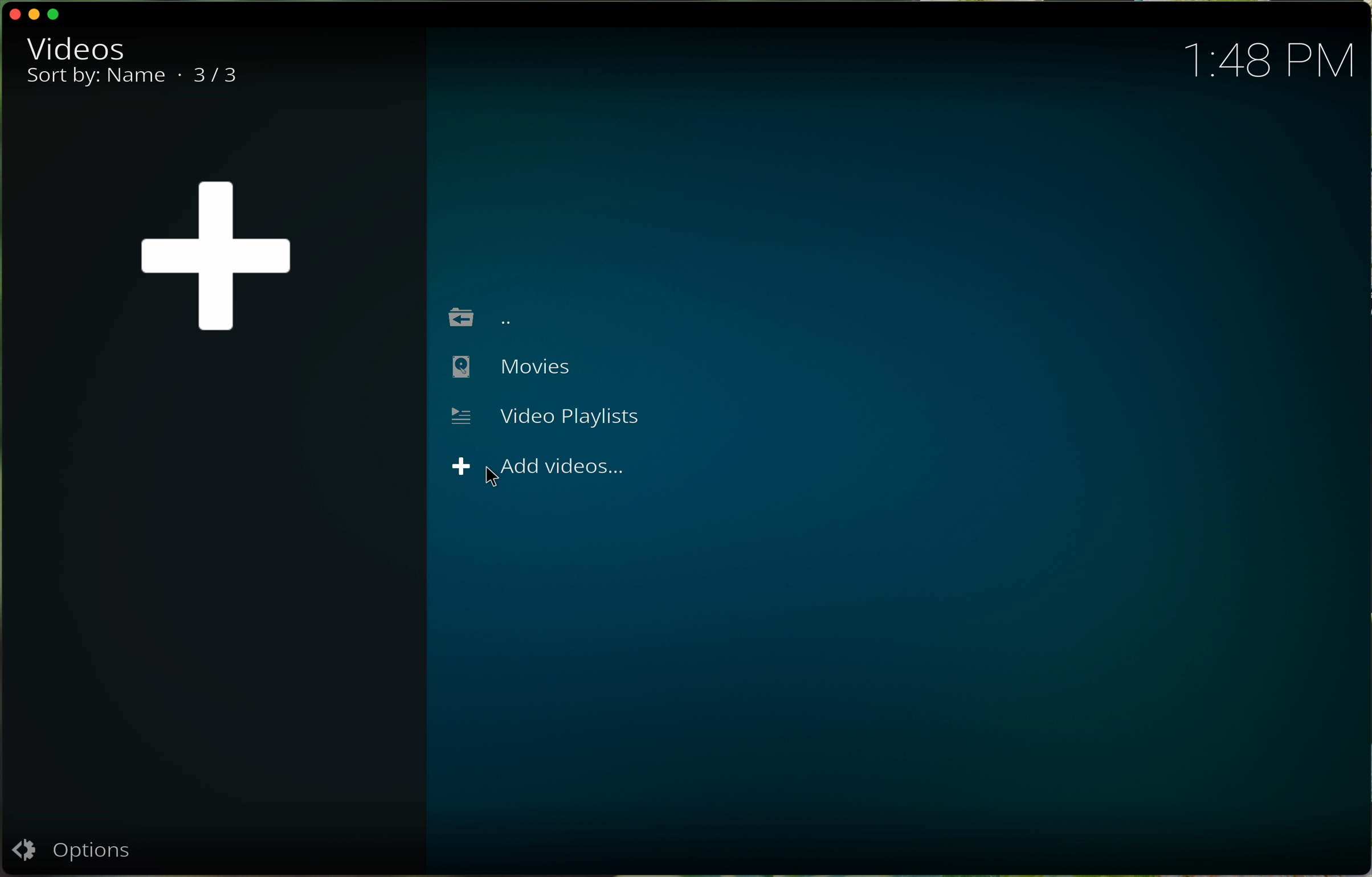 The image size is (1372, 877). What do you see at coordinates (36, 13) in the screenshot?
I see `minimise` at bounding box center [36, 13].